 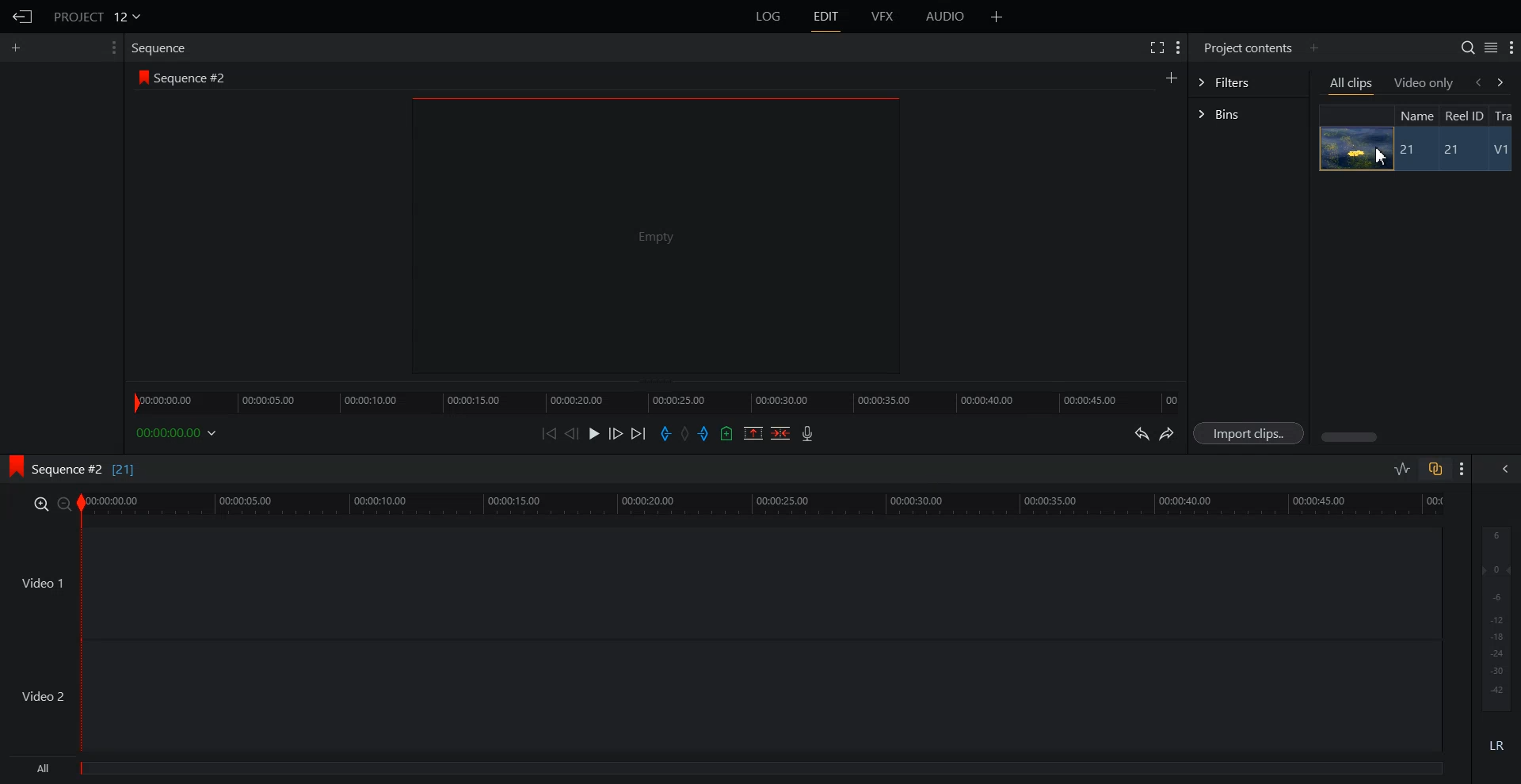 I want to click on Move backward, so click(x=551, y=433).